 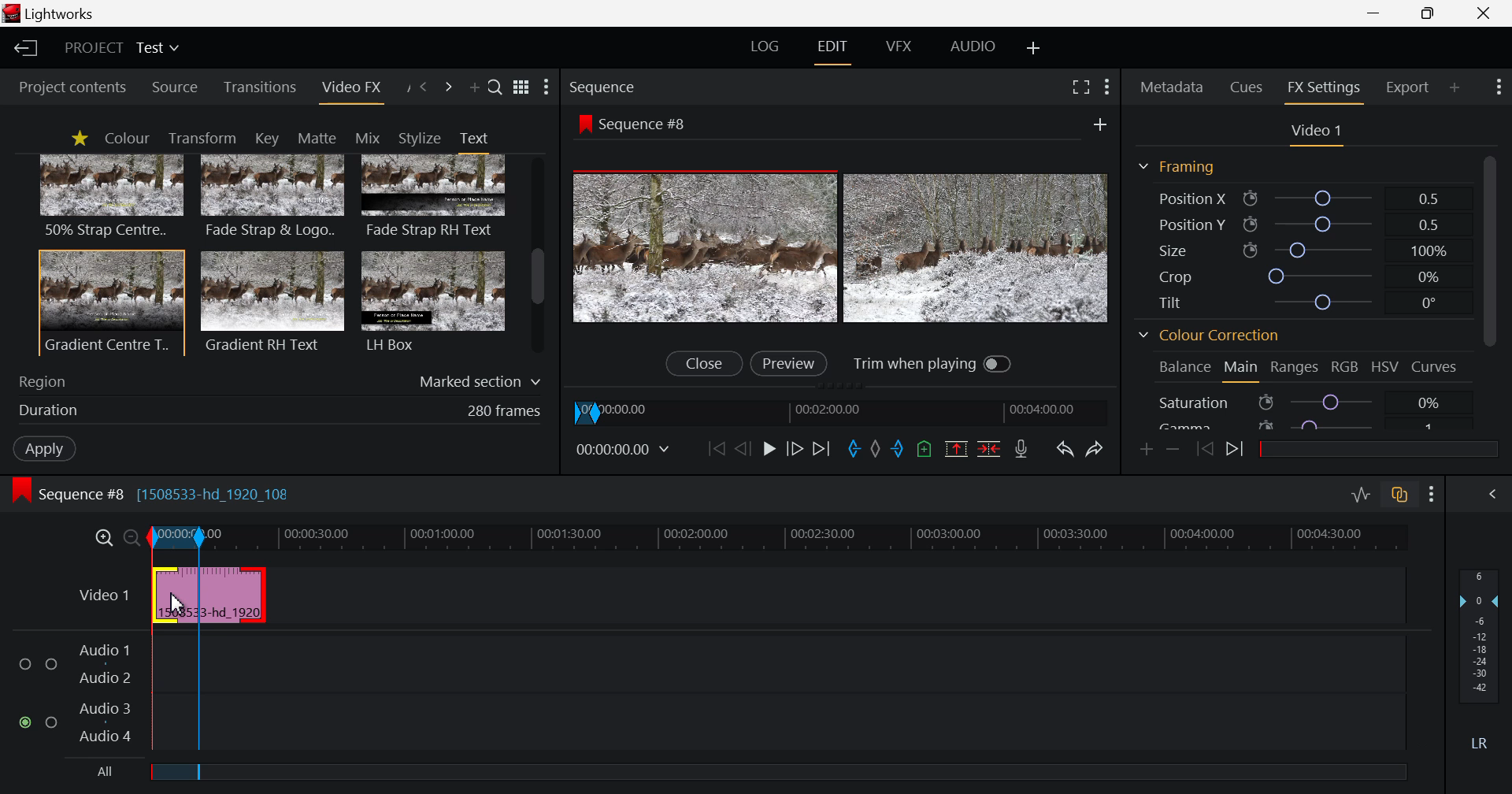 What do you see at coordinates (113, 195) in the screenshot?
I see `50% Strap centre` at bounding box center [113, 195].